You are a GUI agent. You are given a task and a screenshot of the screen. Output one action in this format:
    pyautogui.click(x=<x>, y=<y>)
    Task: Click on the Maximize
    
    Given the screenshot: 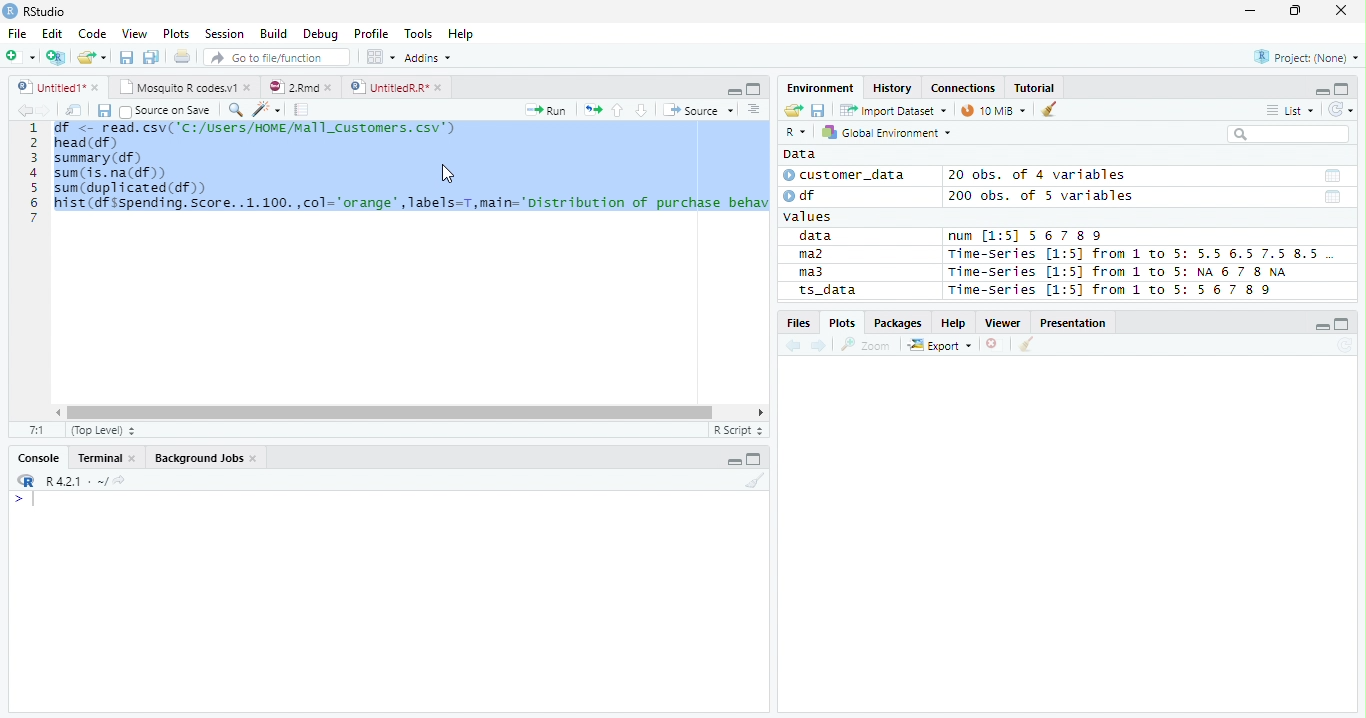 What is the action you would take?
    pyautogui.click(x=1344, y=324)
    